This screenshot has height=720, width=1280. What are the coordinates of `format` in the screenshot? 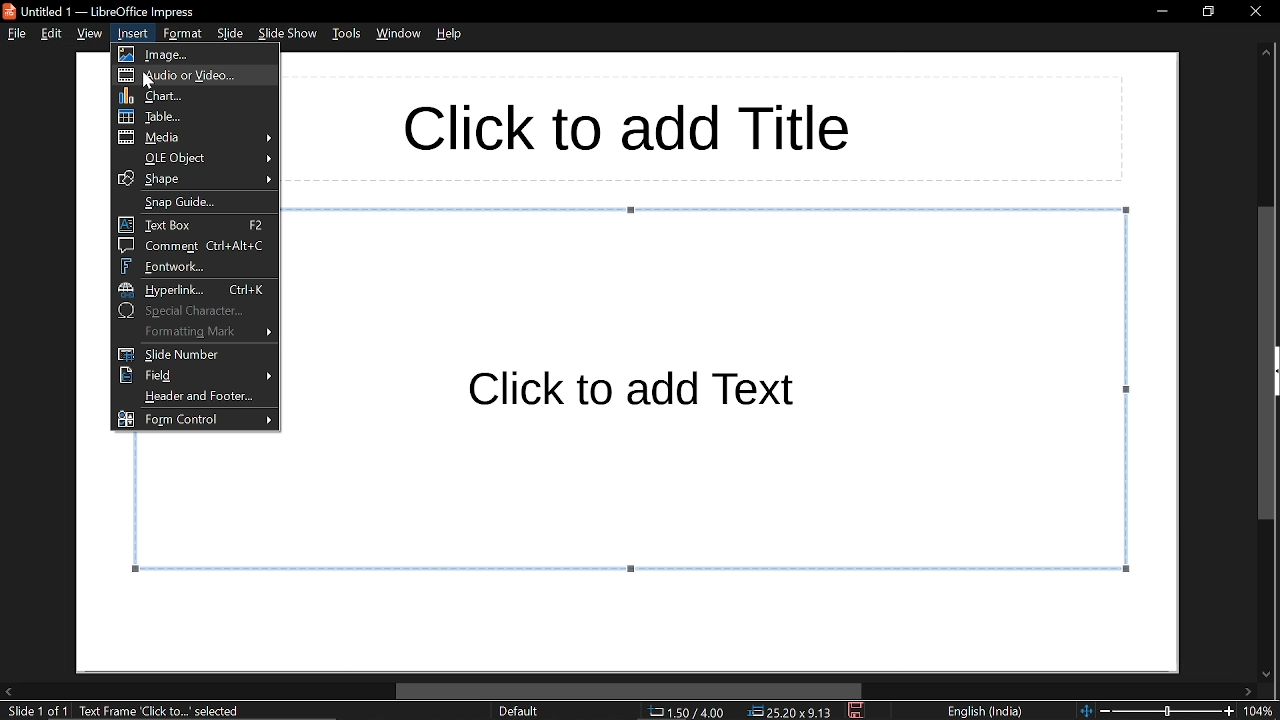 It's located at (182, 32).